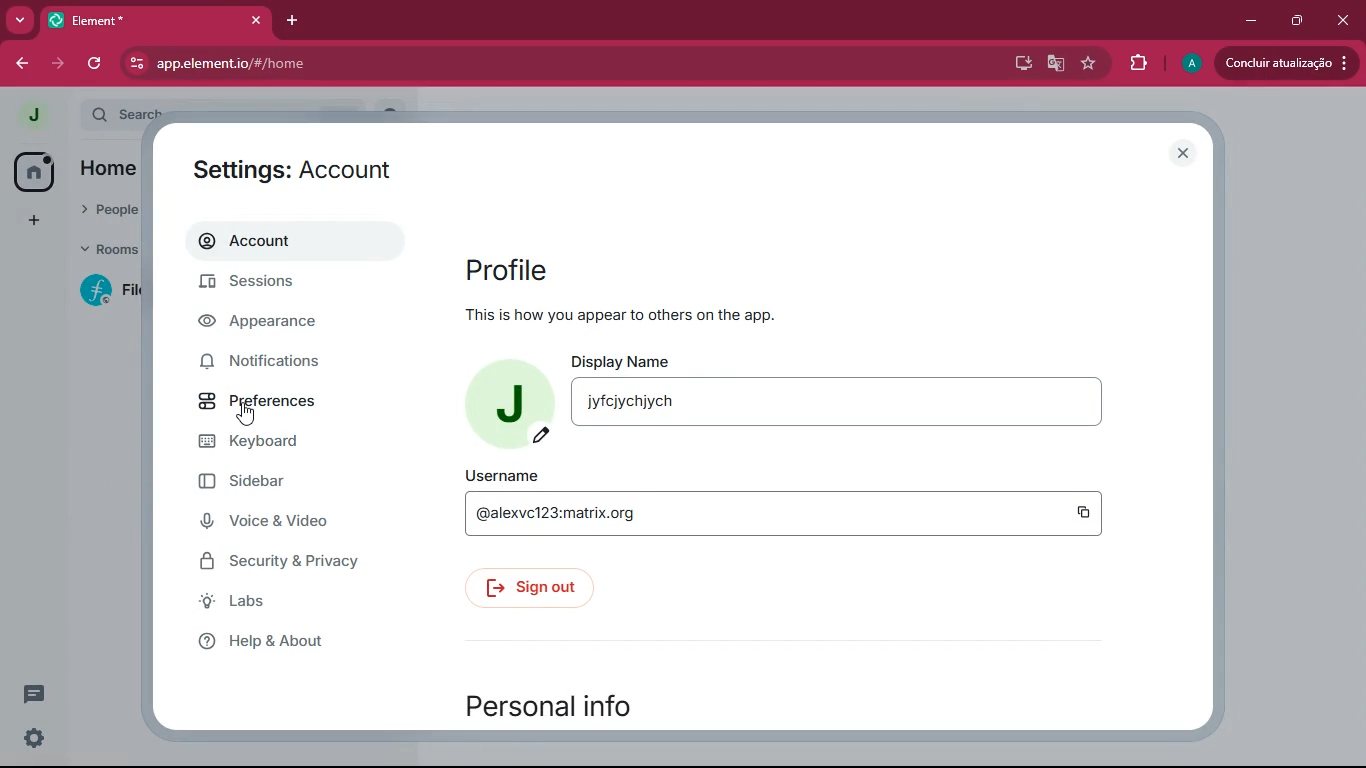  Describe the element at coordinates (61, 64) in the screenshot. I see `forward` at that location.